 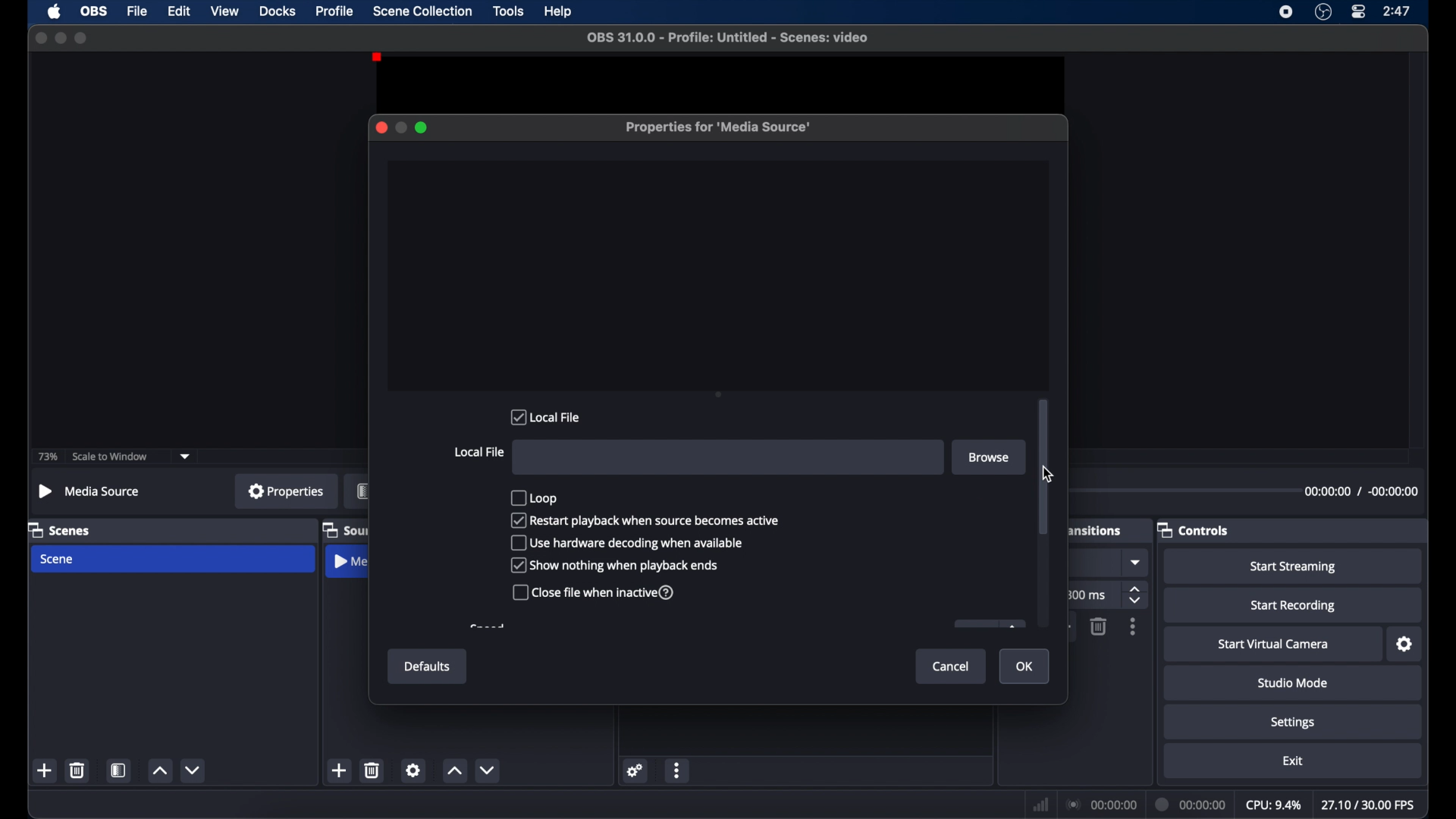 What do you see at coordinates (59, 531) in the screenshot?
I see `scenes` at bounding box center [59, 531].